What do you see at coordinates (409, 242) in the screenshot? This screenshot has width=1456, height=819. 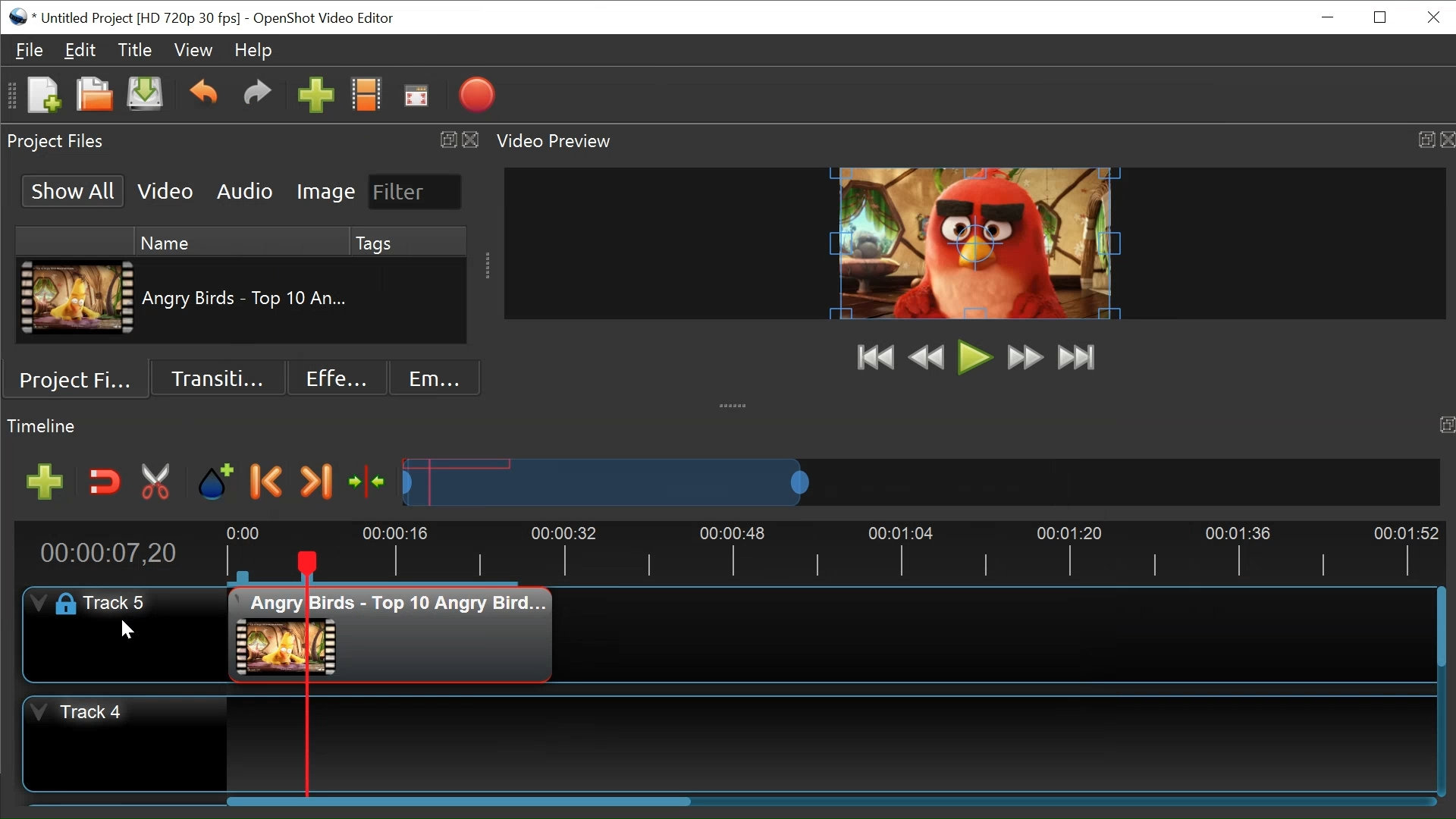 I see `Tags` at bounding box center [409, 242].